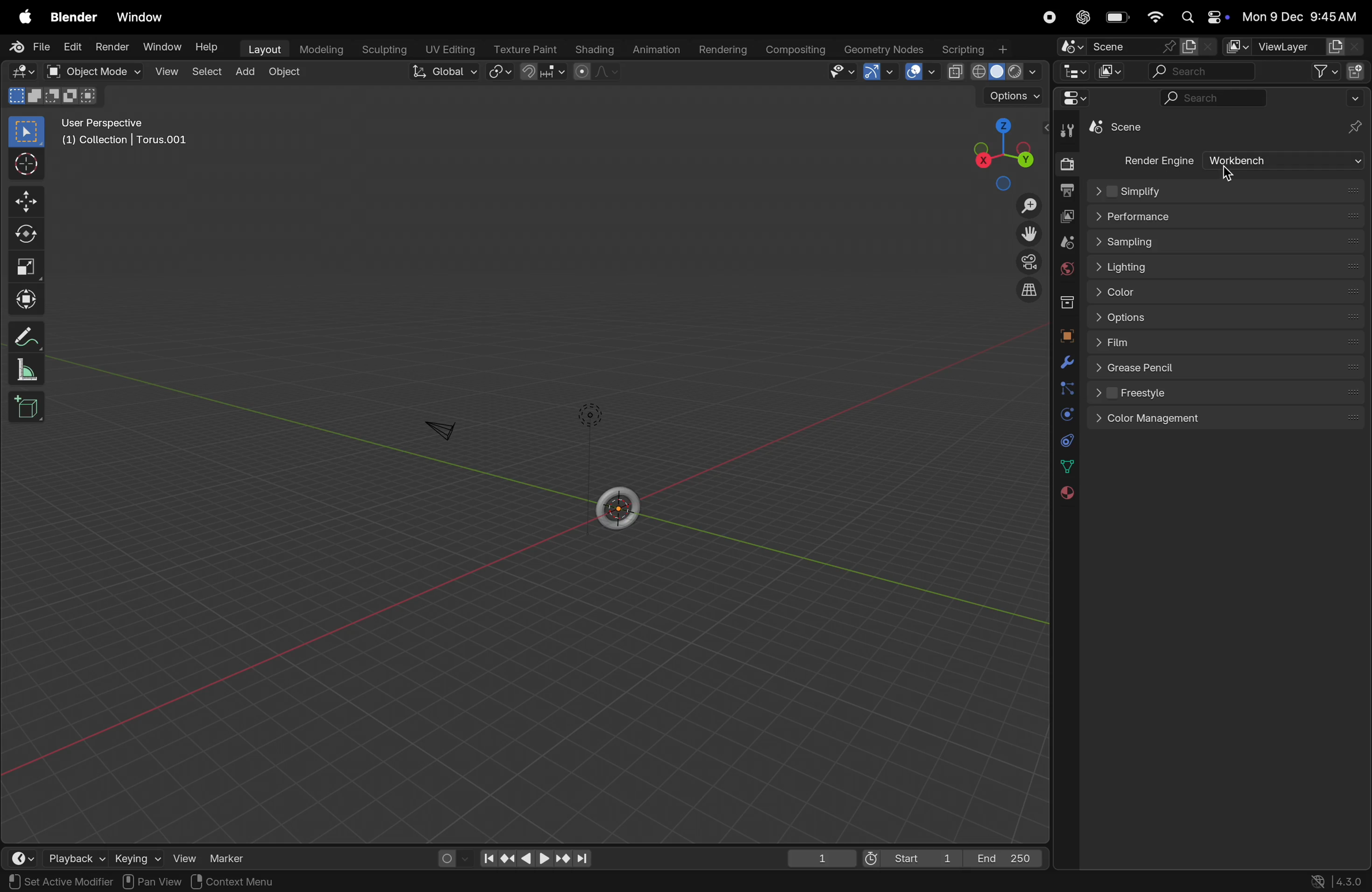 Image resolution: width=1372 pixels, height=892 pixels. Describe the element at coordinates (29, 200) in the screenshot. I see `Move` at that location.